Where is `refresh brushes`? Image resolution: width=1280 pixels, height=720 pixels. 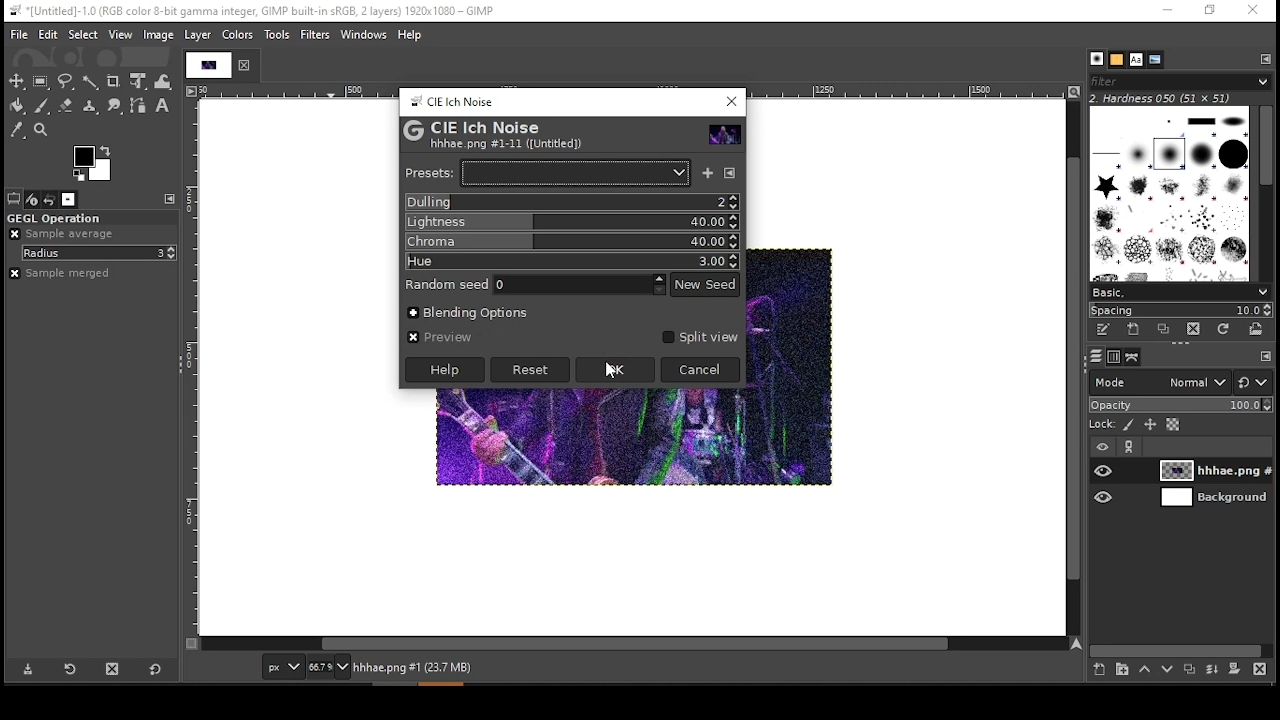
refresh brushes is located at coordinates (1228, 332).